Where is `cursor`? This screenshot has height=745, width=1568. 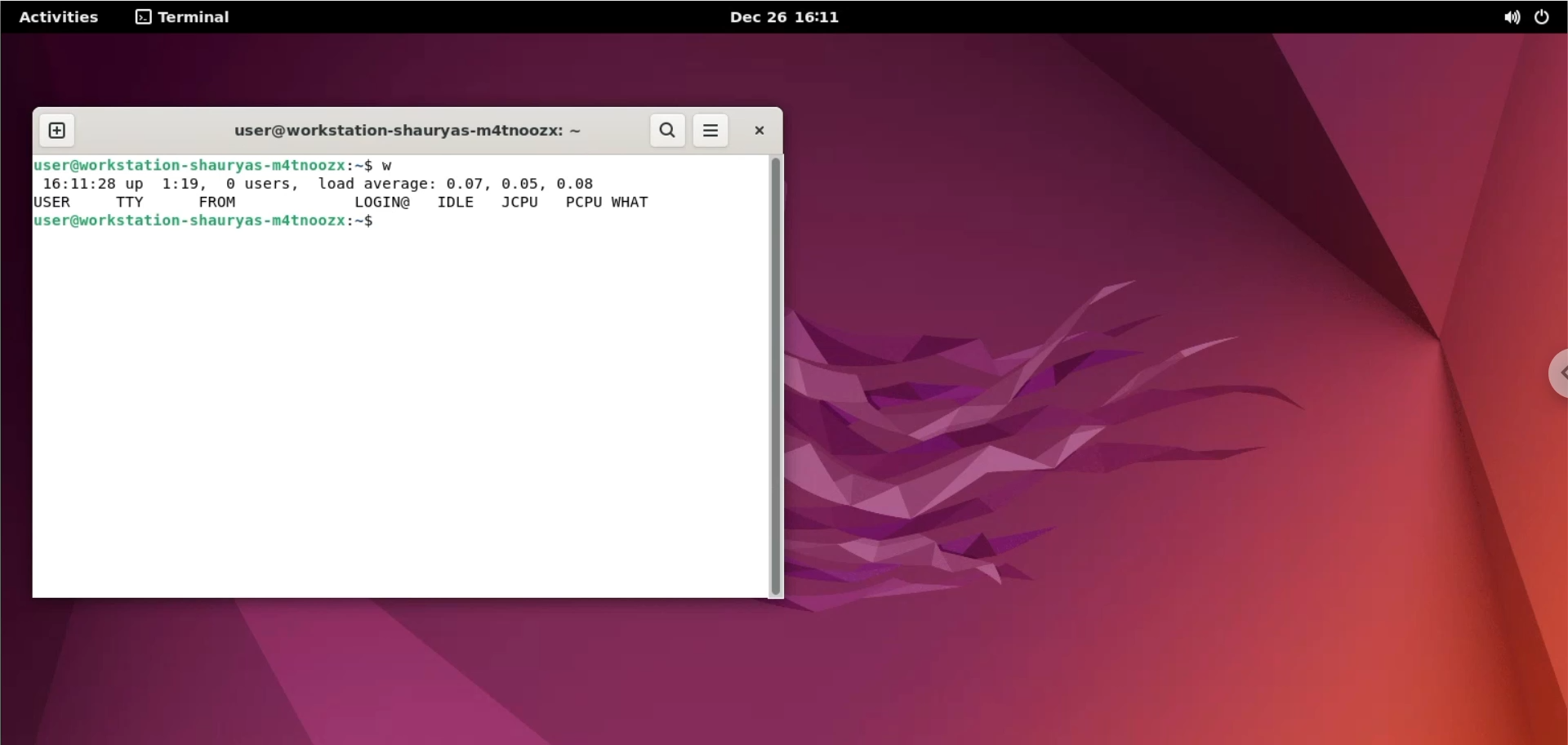 cursor is located at coordinates (394, 223).